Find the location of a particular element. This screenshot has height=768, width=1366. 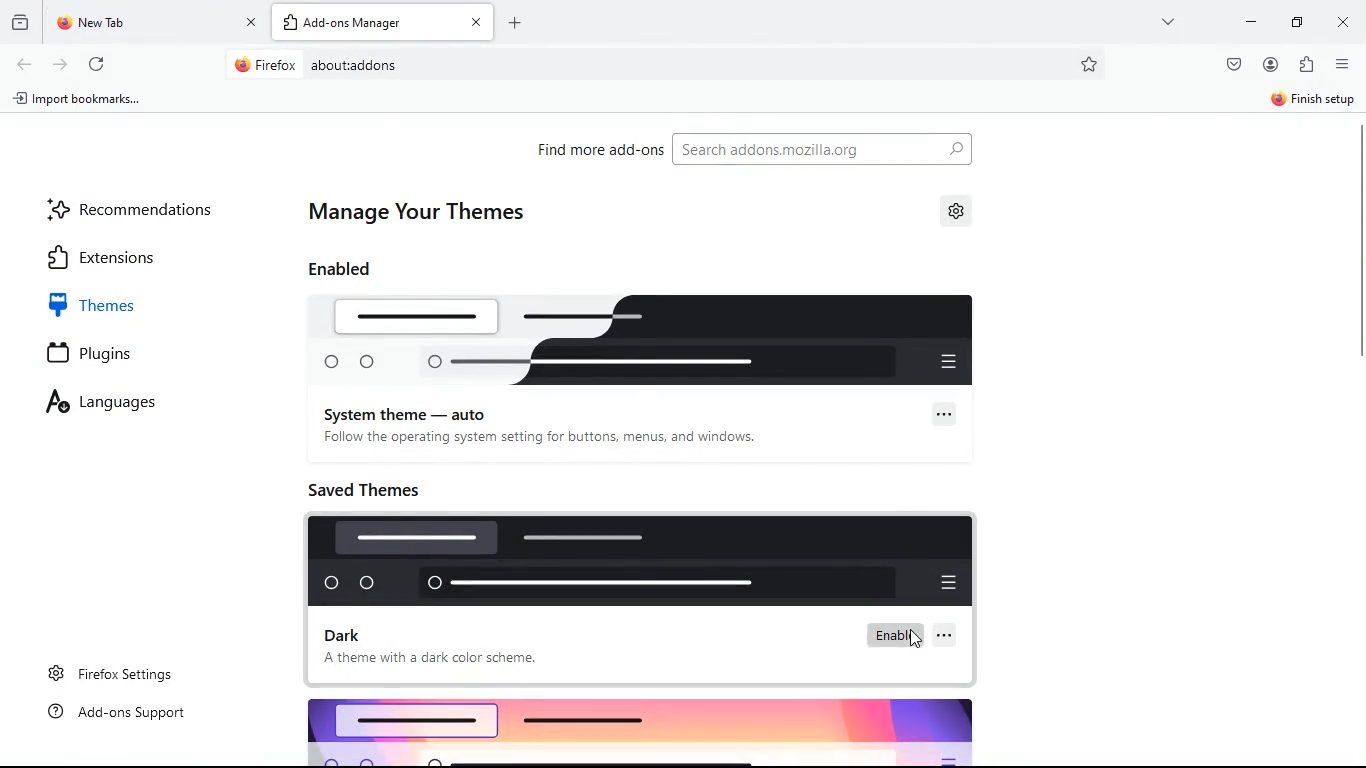

instalations is located at coordinates (1305, 65).